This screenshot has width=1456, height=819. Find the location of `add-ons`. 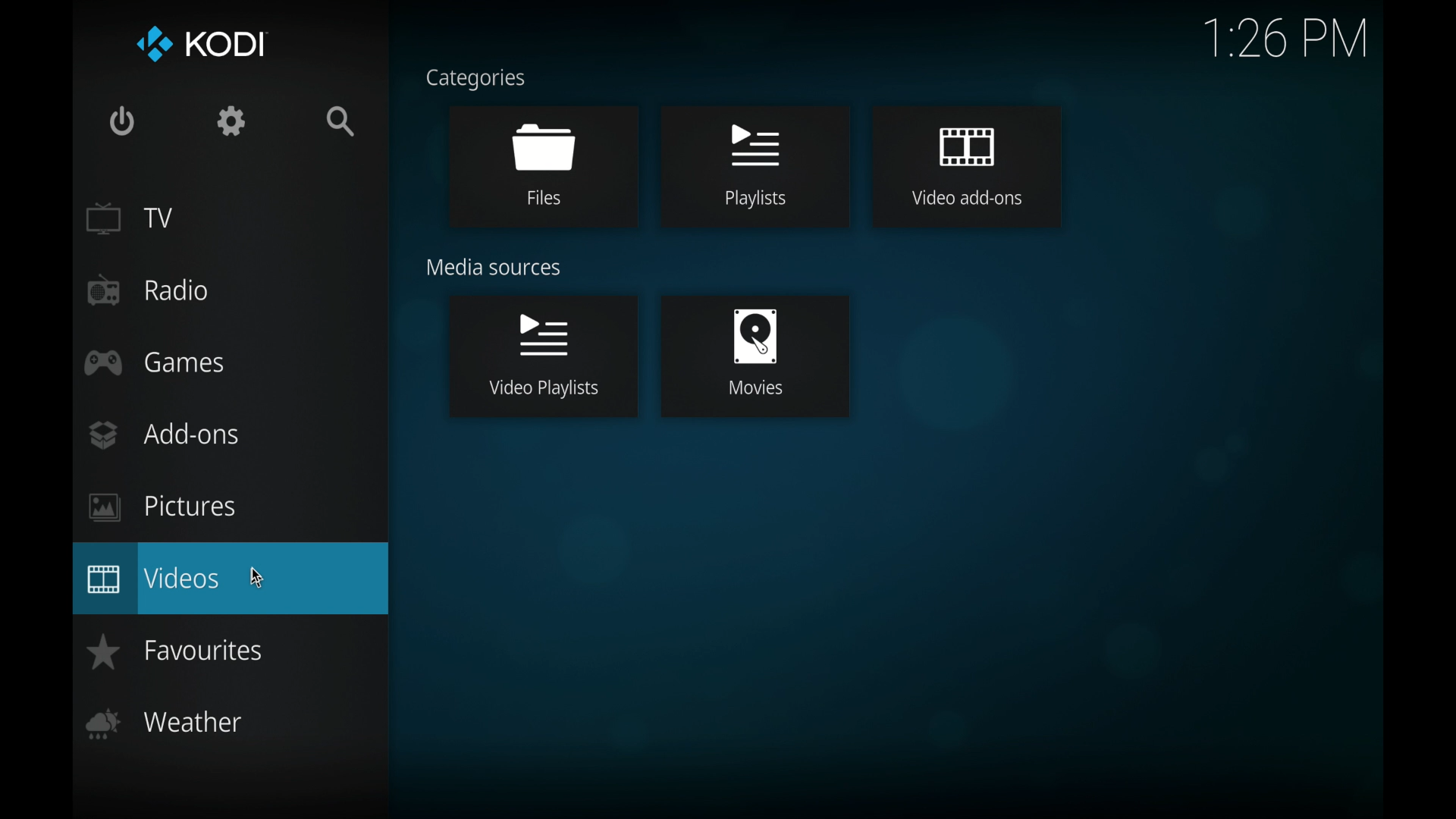

add-ons is located at coordinates (163, 435).